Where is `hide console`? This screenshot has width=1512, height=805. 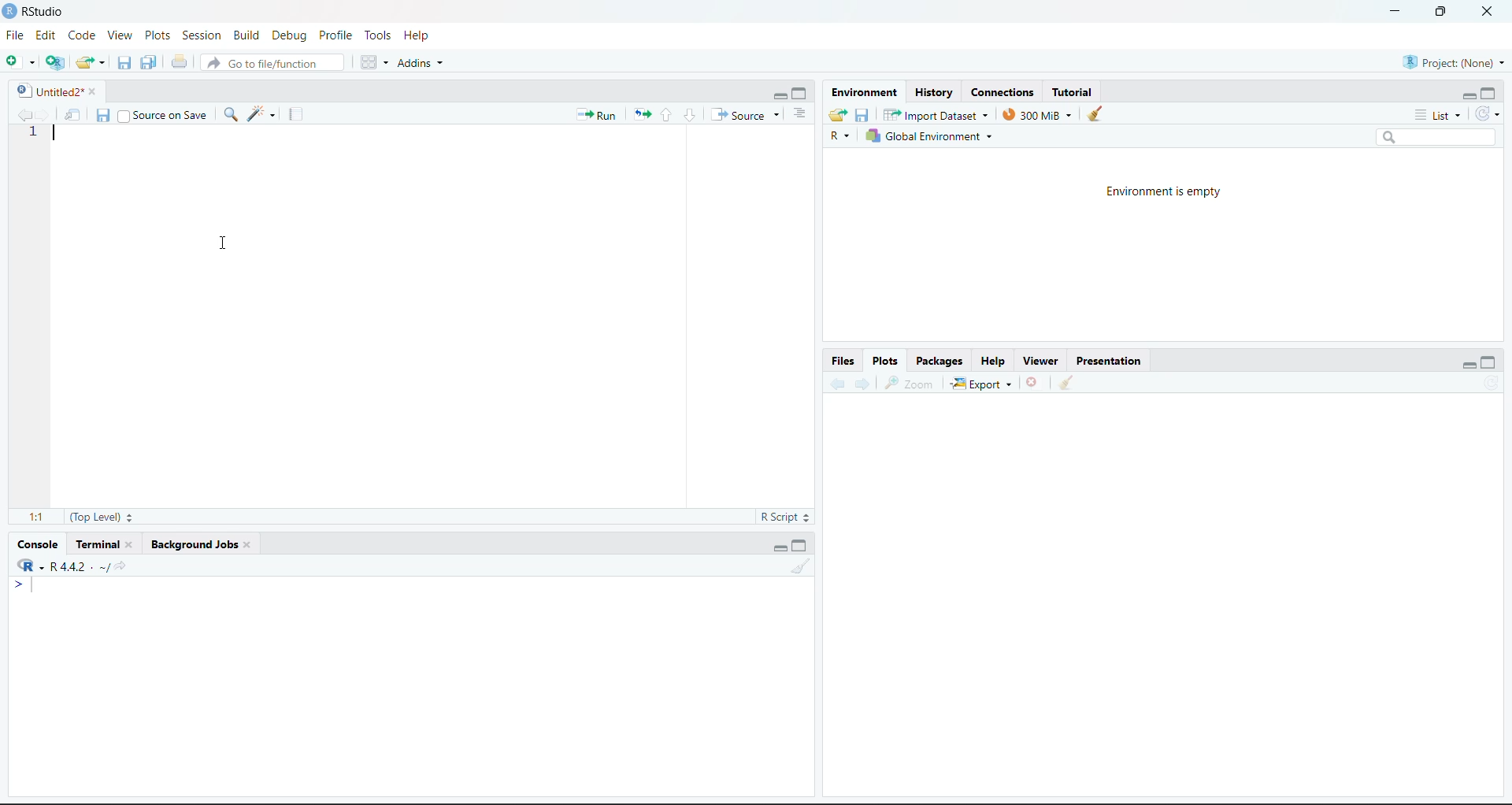
hide console is located at coordinates (802, 544).